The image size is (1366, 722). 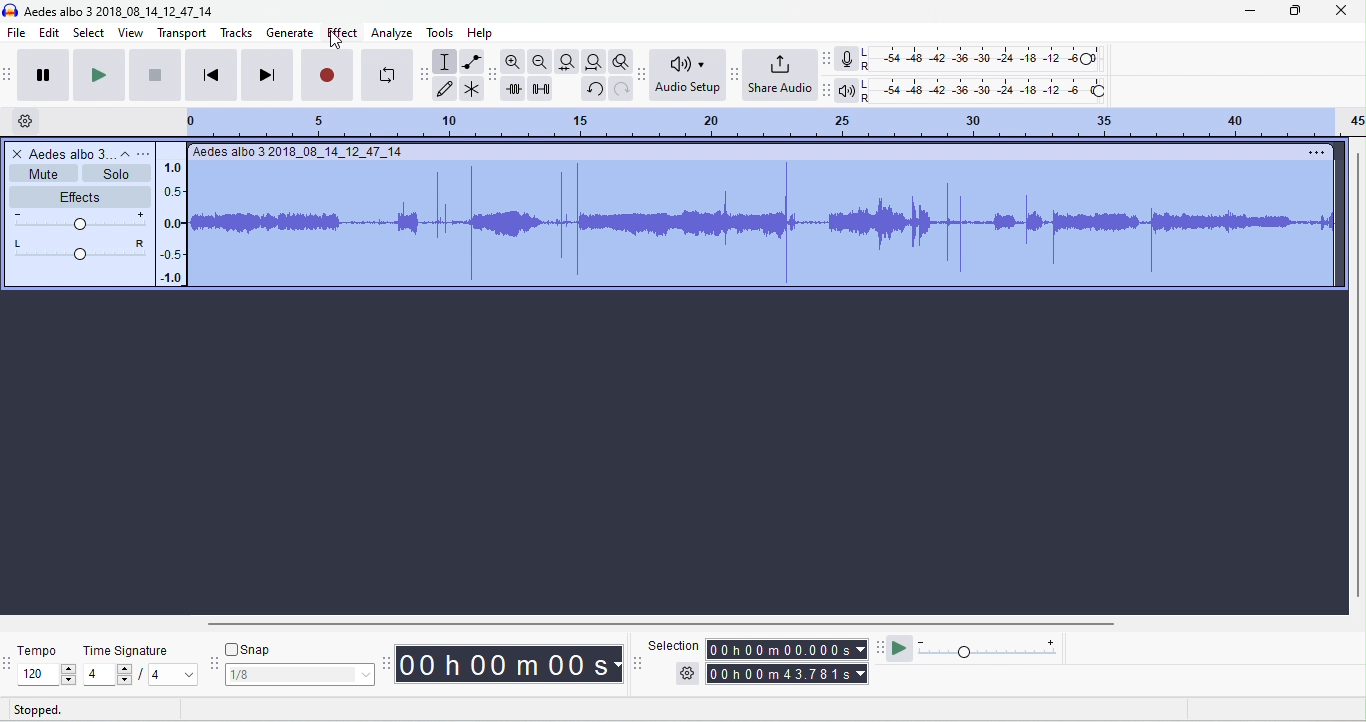 What do you see at coordinates (1249, 11) in the screenshot?
I see `minimize` at bounding box center [1249, 11].